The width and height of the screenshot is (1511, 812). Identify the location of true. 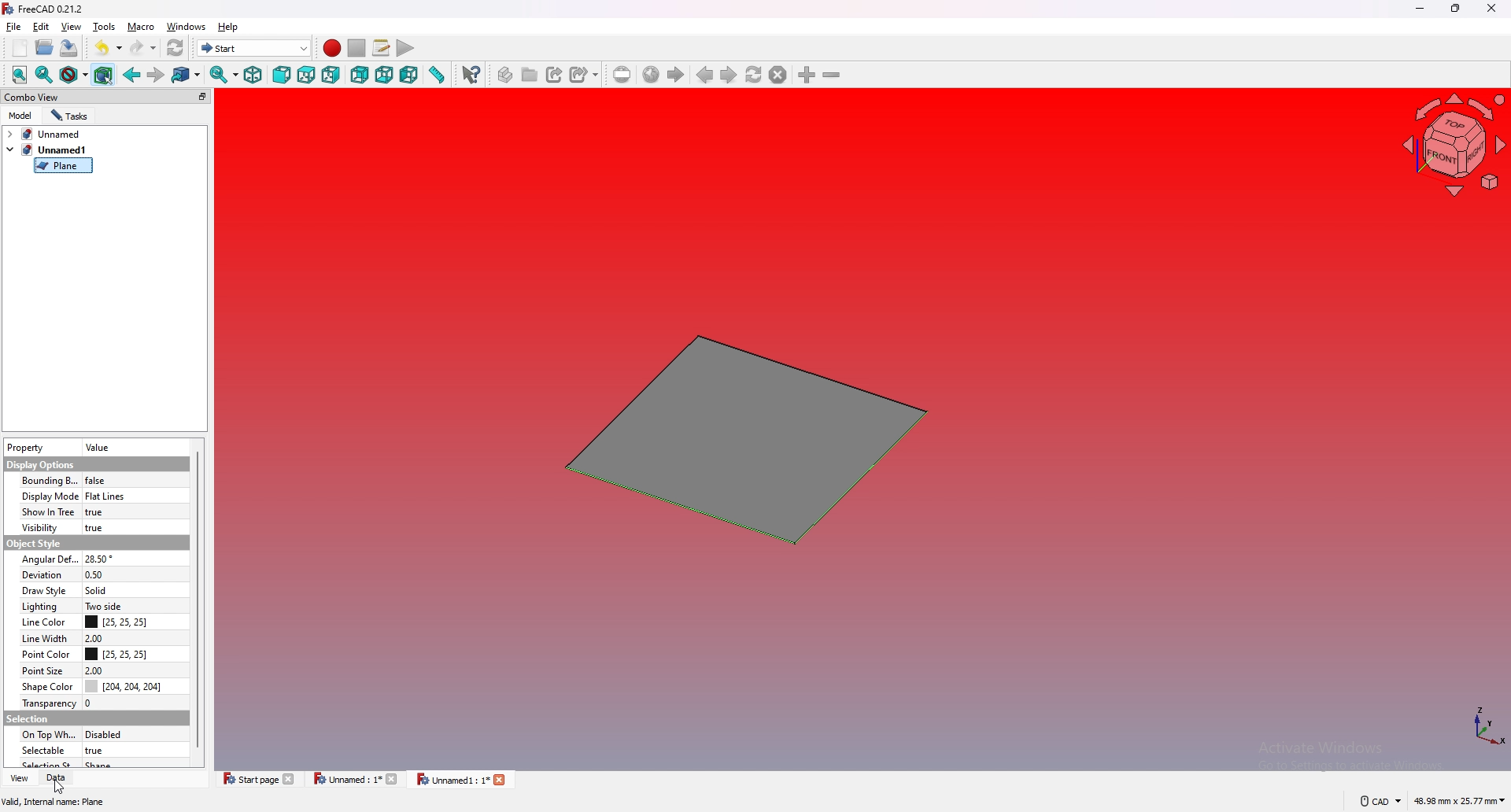
(102, 511).